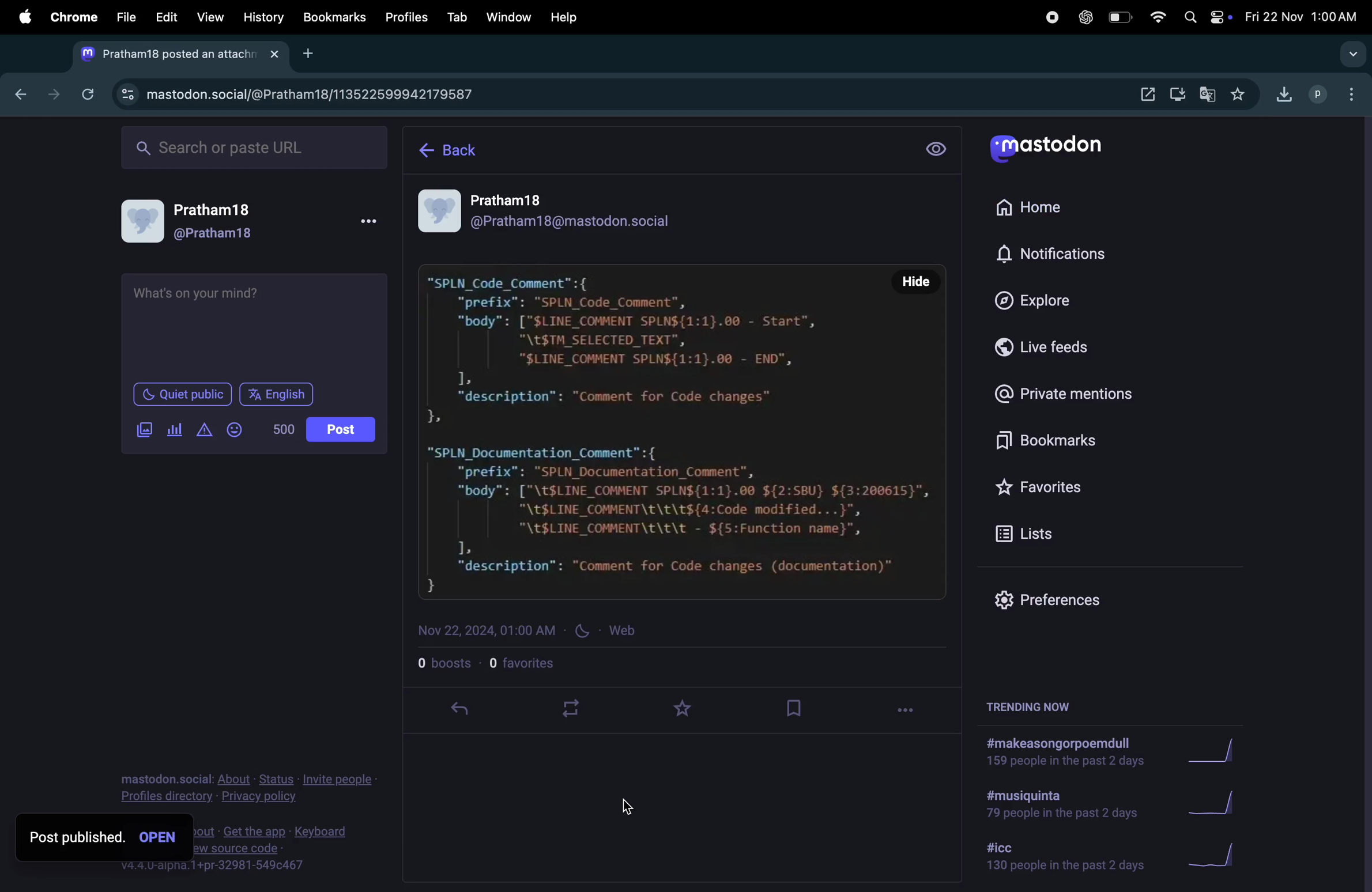 This screenshot has height=892, width=1372. Describe the element at coordinates (165, 778) in the screenshot. I see `mastodon.social` at that location.